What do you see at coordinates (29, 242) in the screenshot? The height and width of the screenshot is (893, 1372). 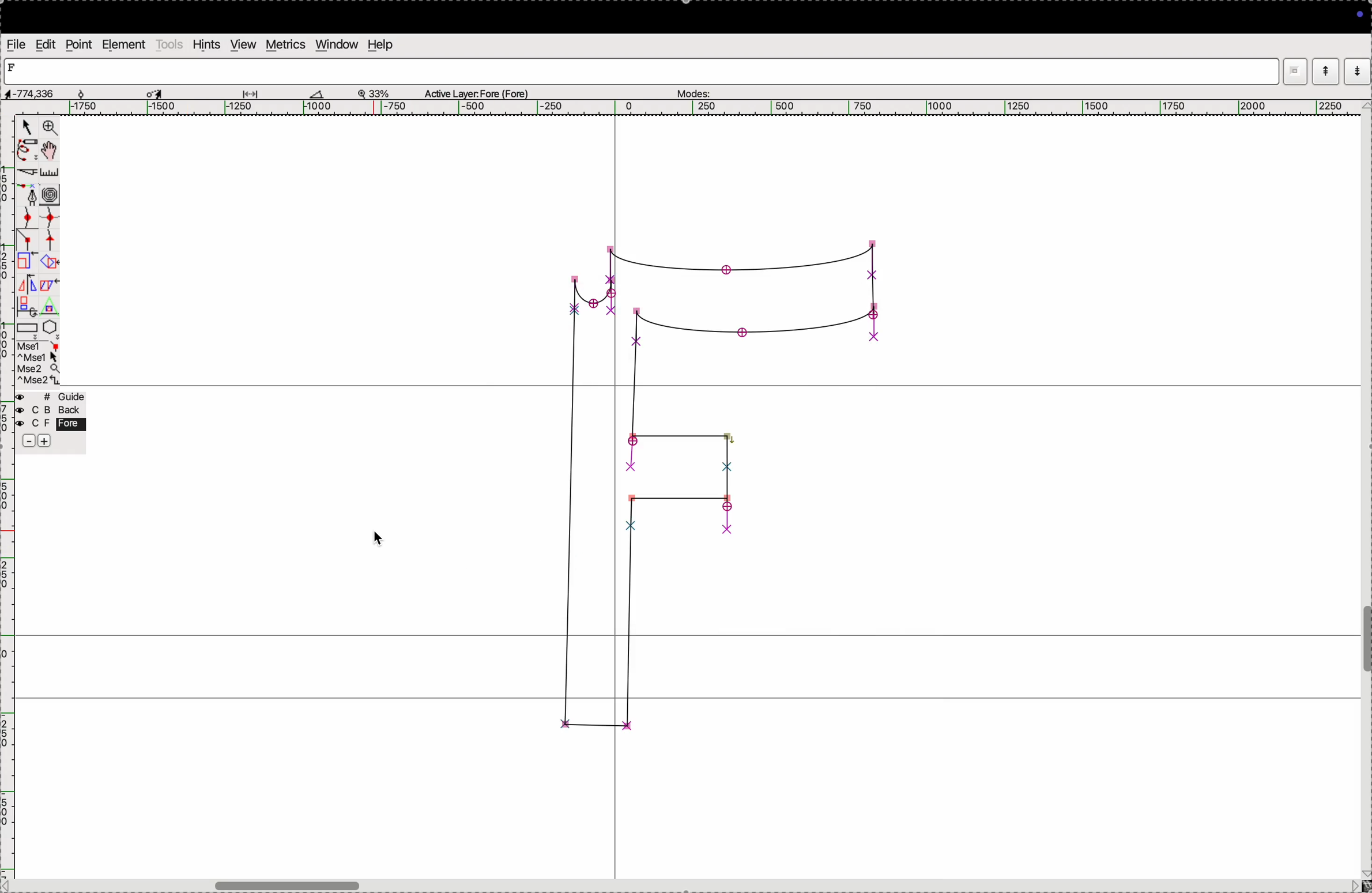 I see `line` at bounding box center [29, 242].